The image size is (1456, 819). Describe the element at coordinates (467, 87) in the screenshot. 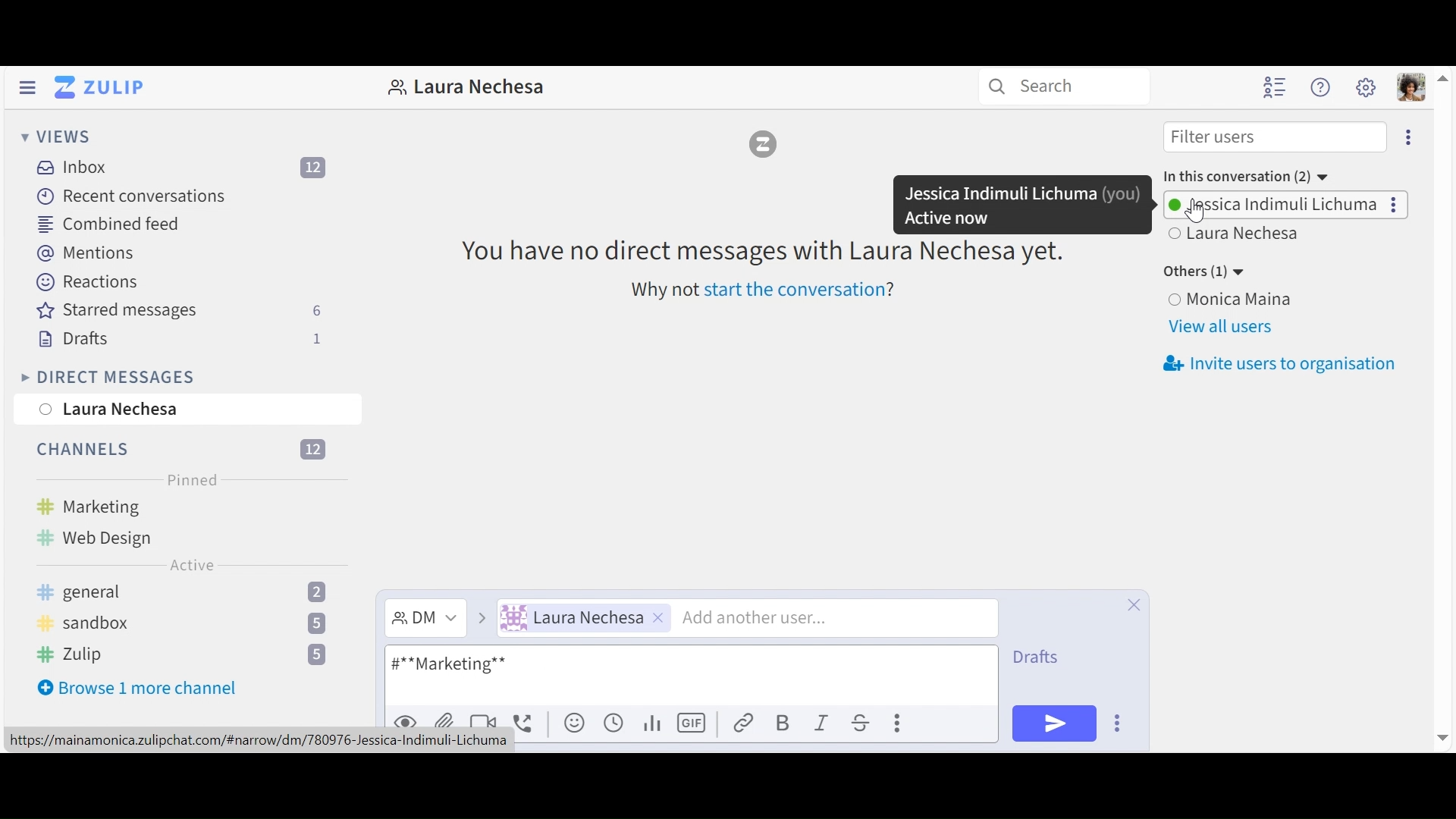

I see `Direct message with this user` at that location.